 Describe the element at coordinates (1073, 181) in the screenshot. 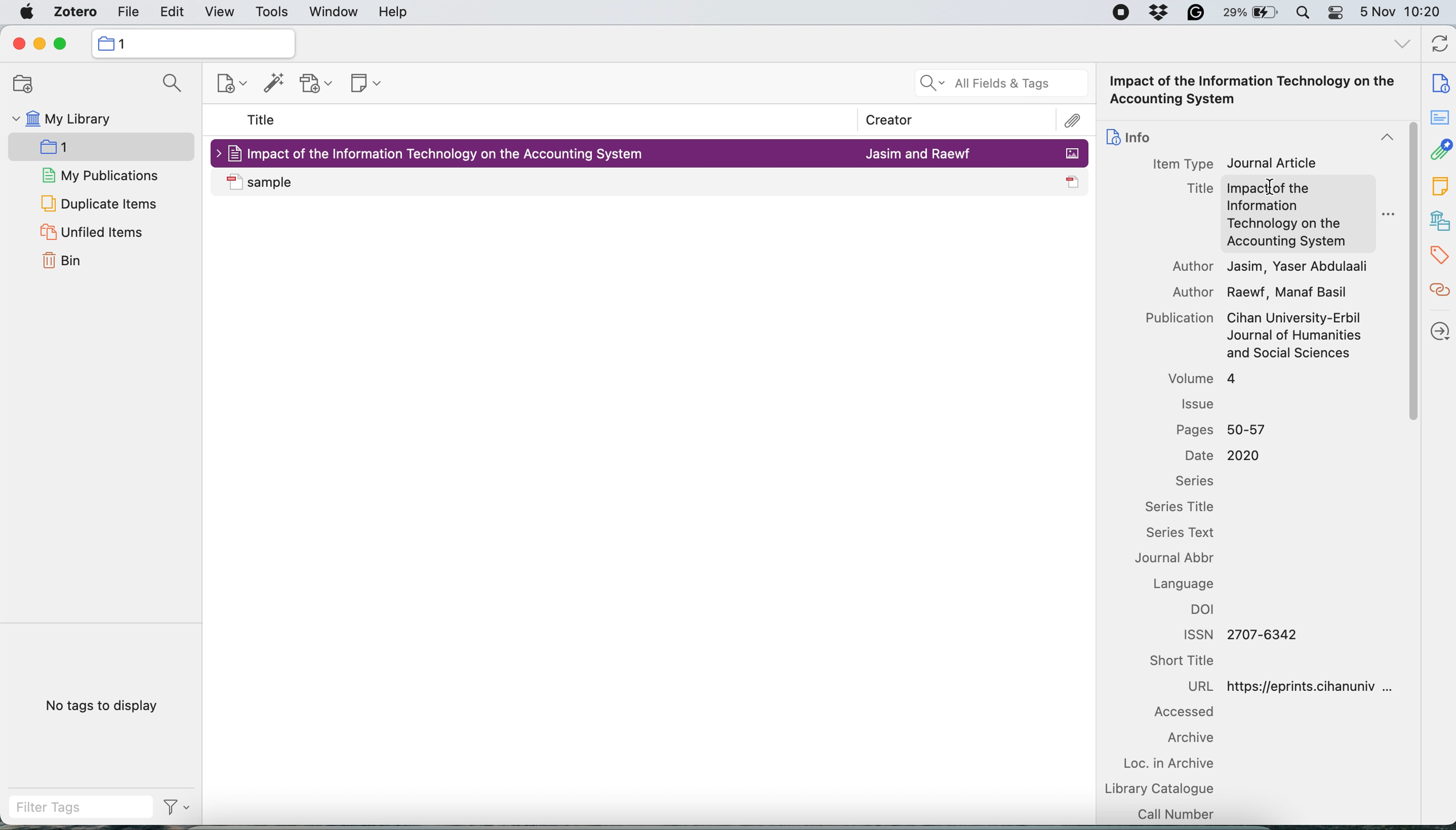

I see `icon` at that location.